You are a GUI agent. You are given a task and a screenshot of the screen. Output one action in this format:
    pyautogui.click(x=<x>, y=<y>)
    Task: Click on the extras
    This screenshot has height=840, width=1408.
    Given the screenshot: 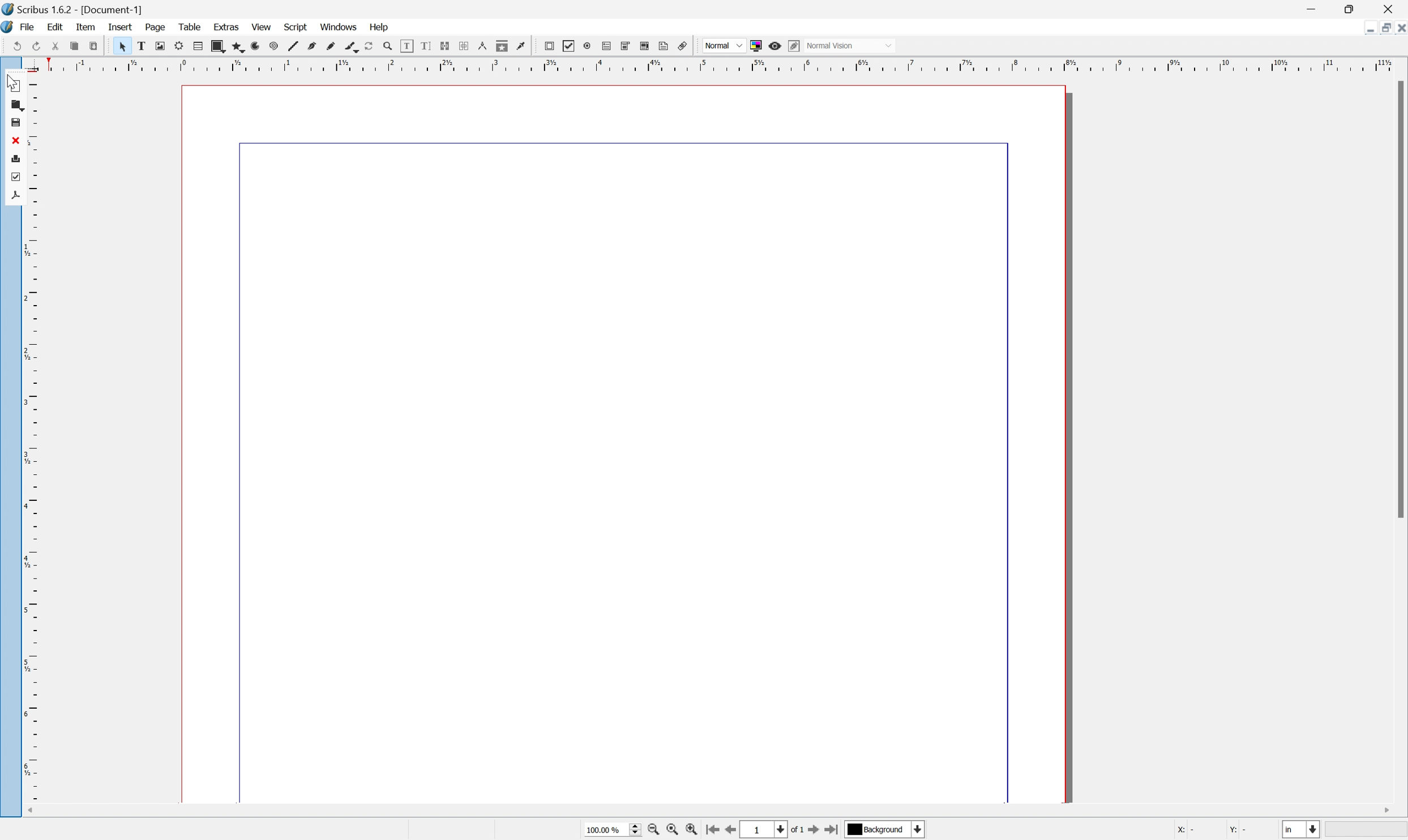 What is the action you would take?
    pyautogui.click(x=226, y=27)
    